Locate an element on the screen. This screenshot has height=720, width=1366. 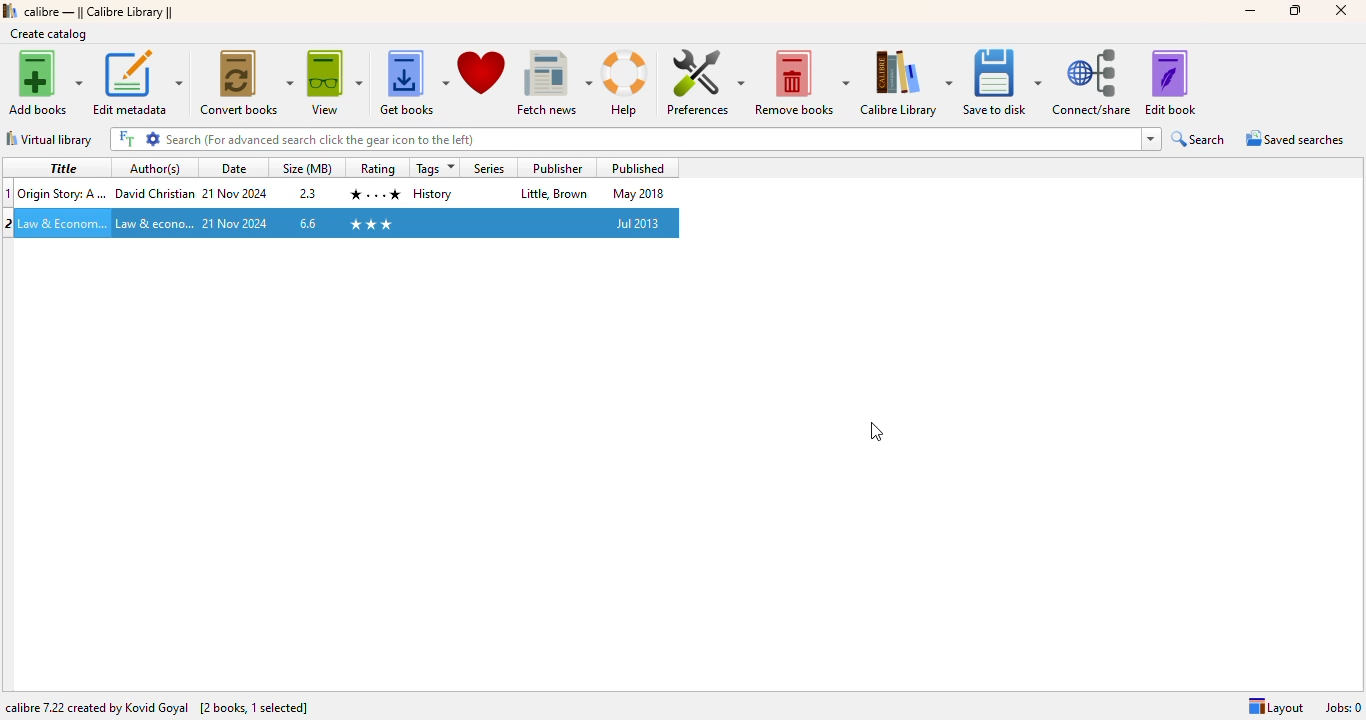
connect/share is located at coordinates (1094, 82).